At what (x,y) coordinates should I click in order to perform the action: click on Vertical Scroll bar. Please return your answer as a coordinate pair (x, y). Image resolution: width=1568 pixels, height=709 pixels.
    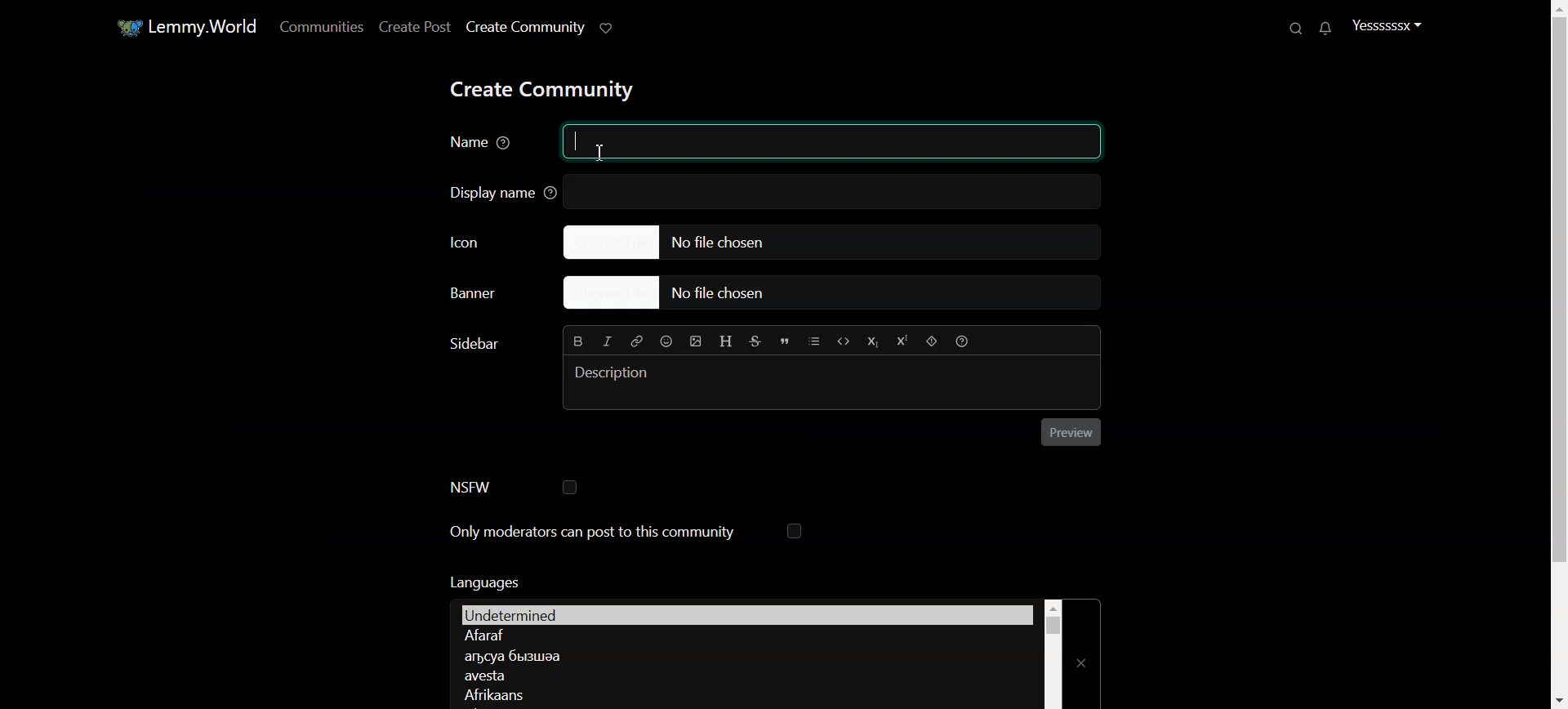
    Looking at the image, I should click on (1555, 354).